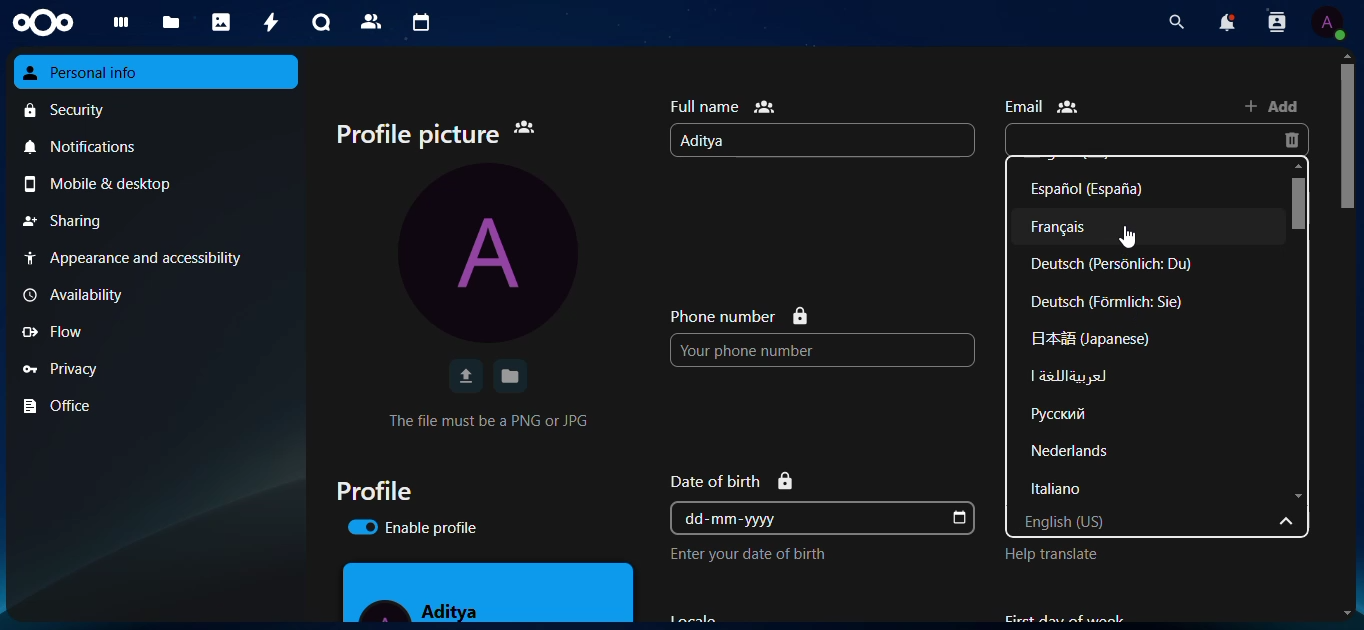  I want to click on contacts, so click(368, 21).